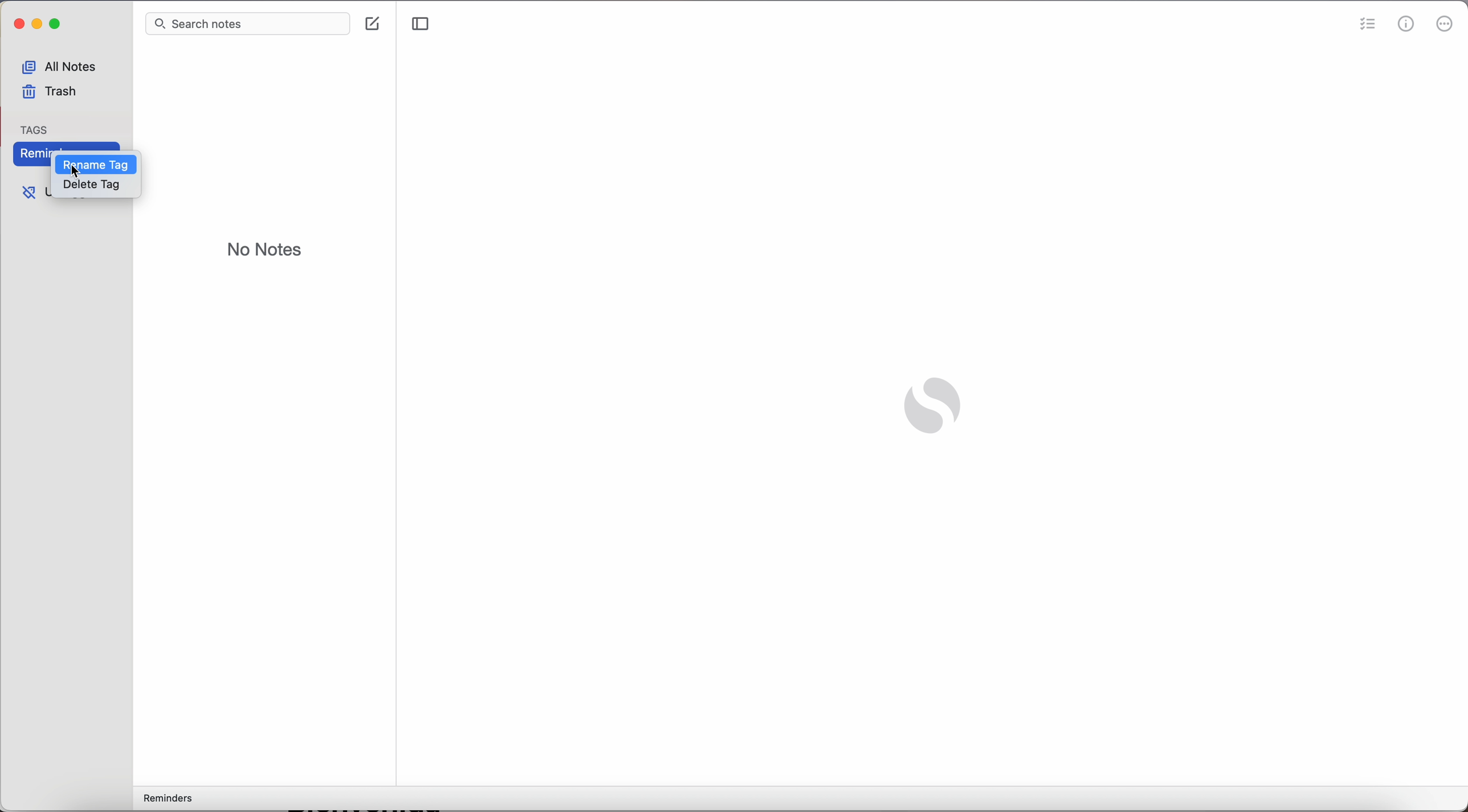  I want to click on all notes, so click(64, 64).